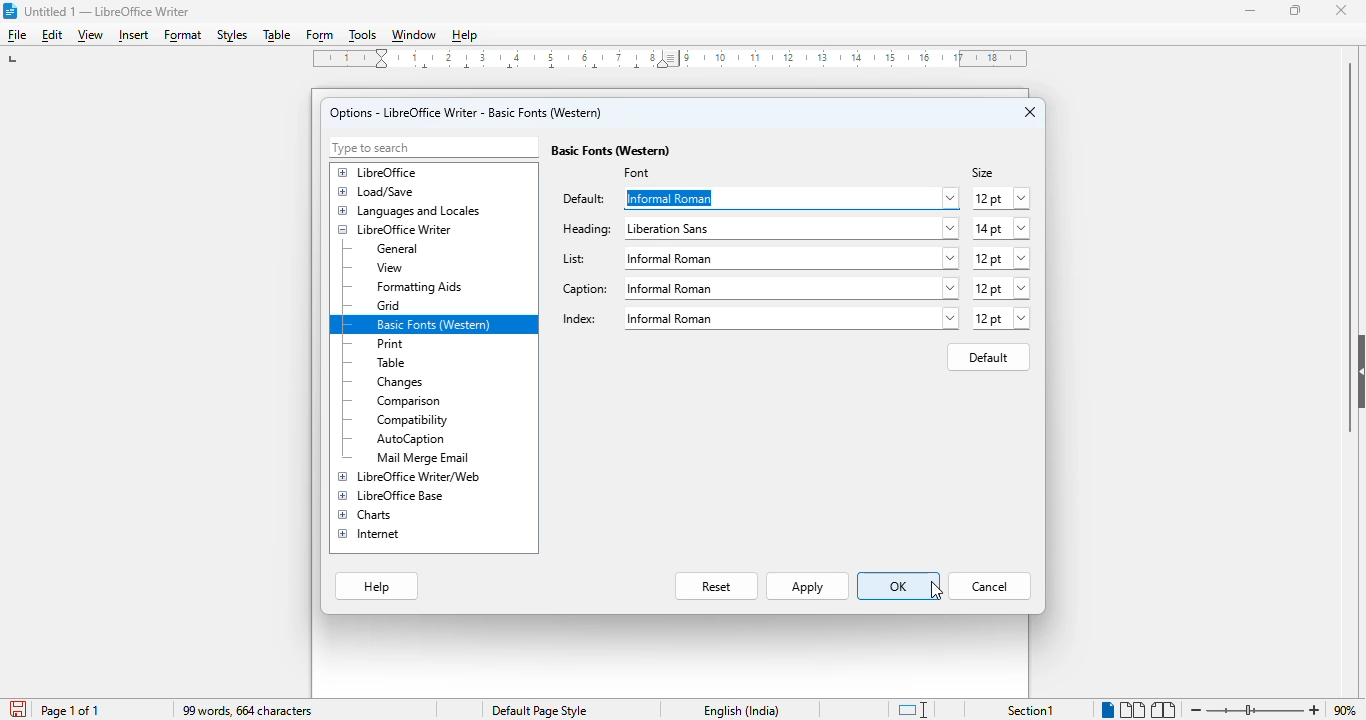 This screenshot has height=720, width=1366. What do you see at coordinates (1163, 710) in the screenshot?
I see `book view` at bounding box center [1163, 710].